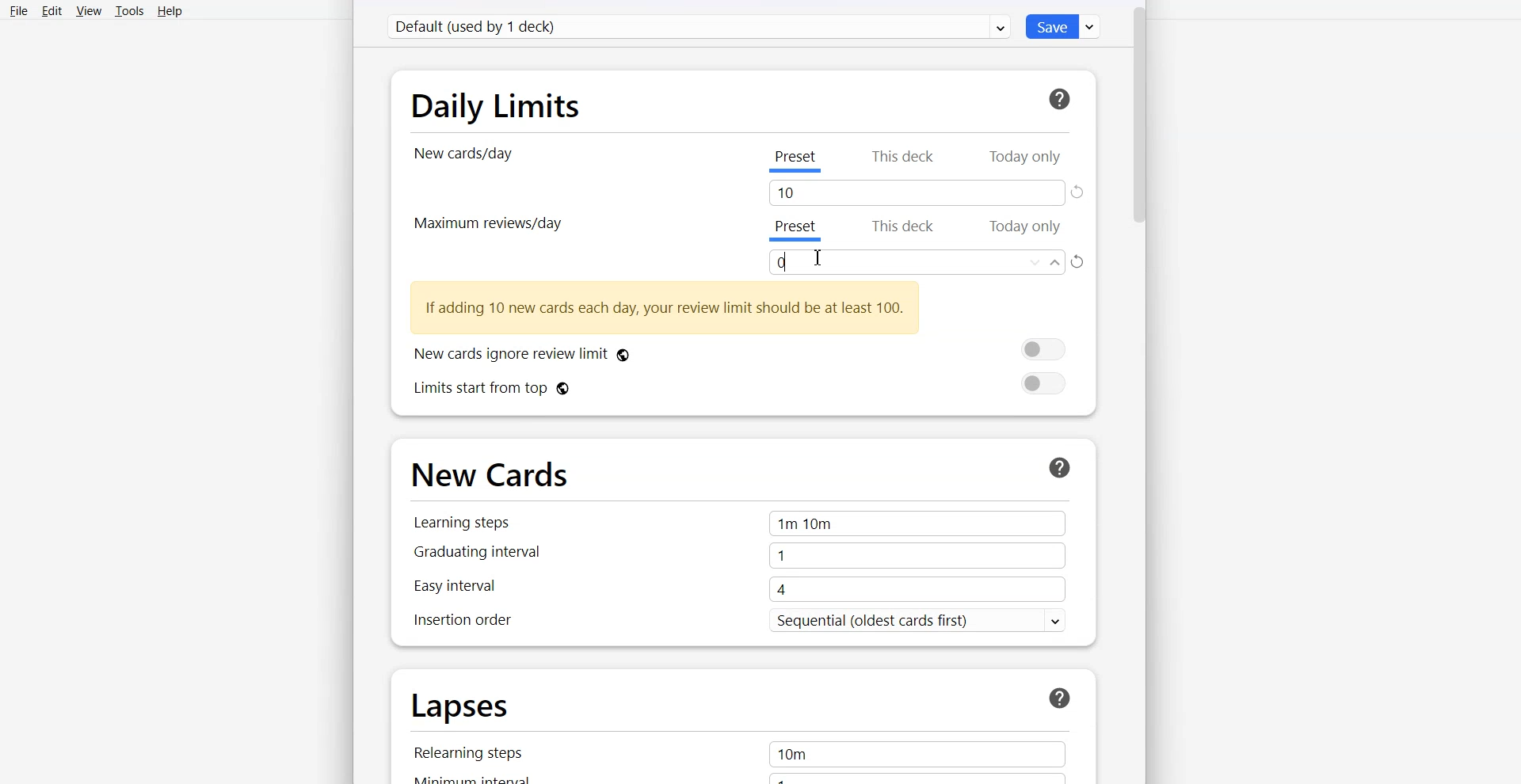  What do you see at coordinates (1062, 698) in the screenshot?
I see `Help` at bounding box center [1062, 698].